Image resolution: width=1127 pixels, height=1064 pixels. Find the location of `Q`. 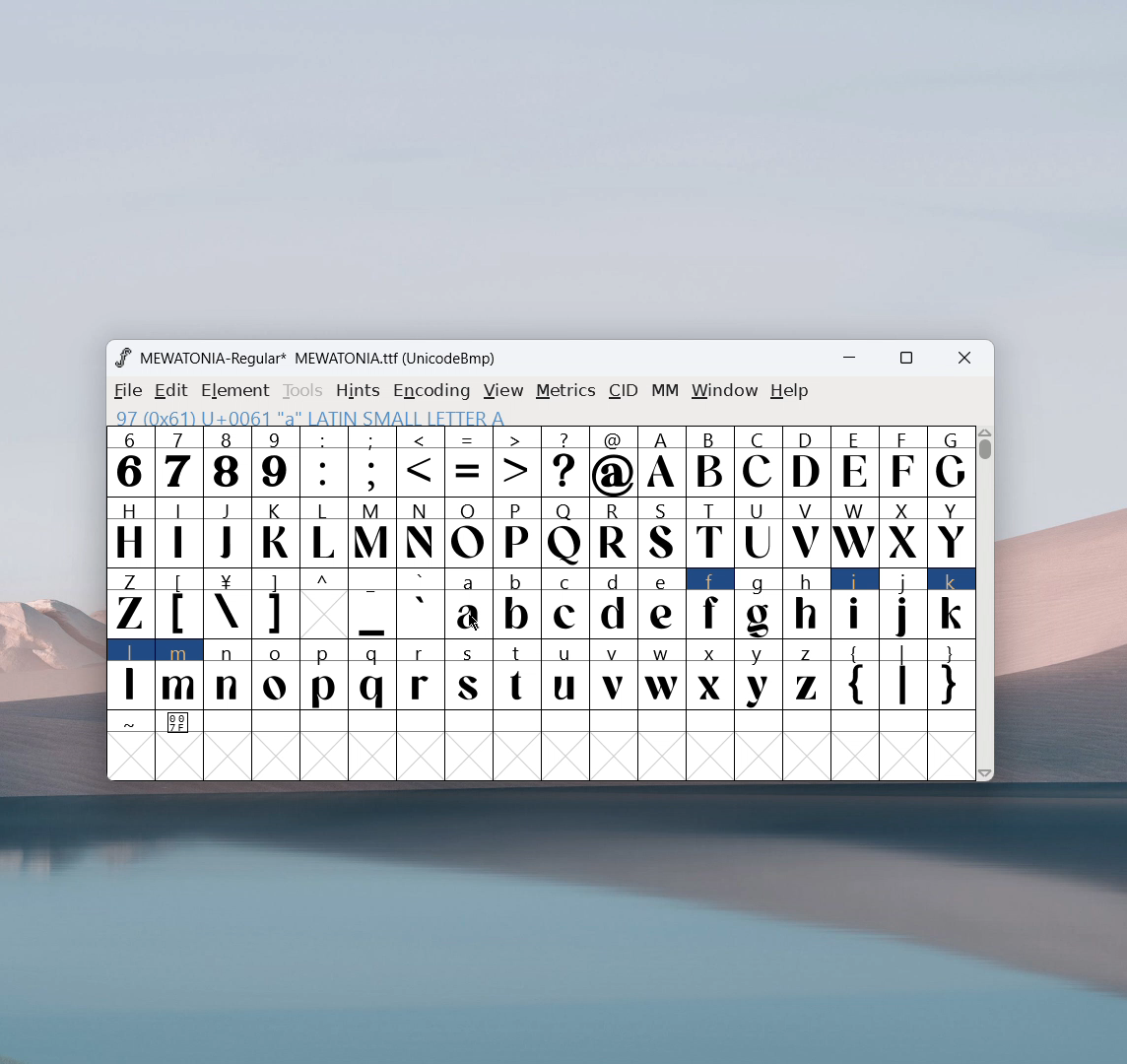

Q is located at coordinates (564, 534).